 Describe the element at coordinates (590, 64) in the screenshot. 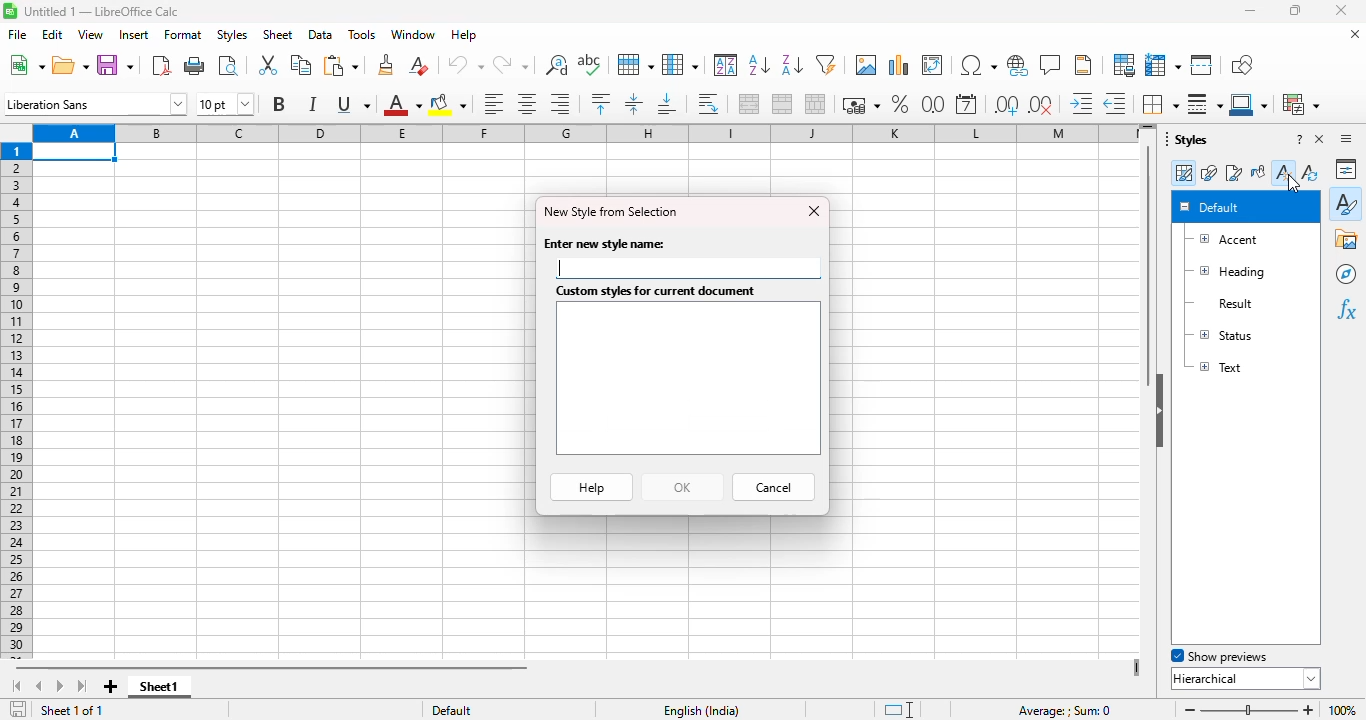

I see `spelling` at that location.